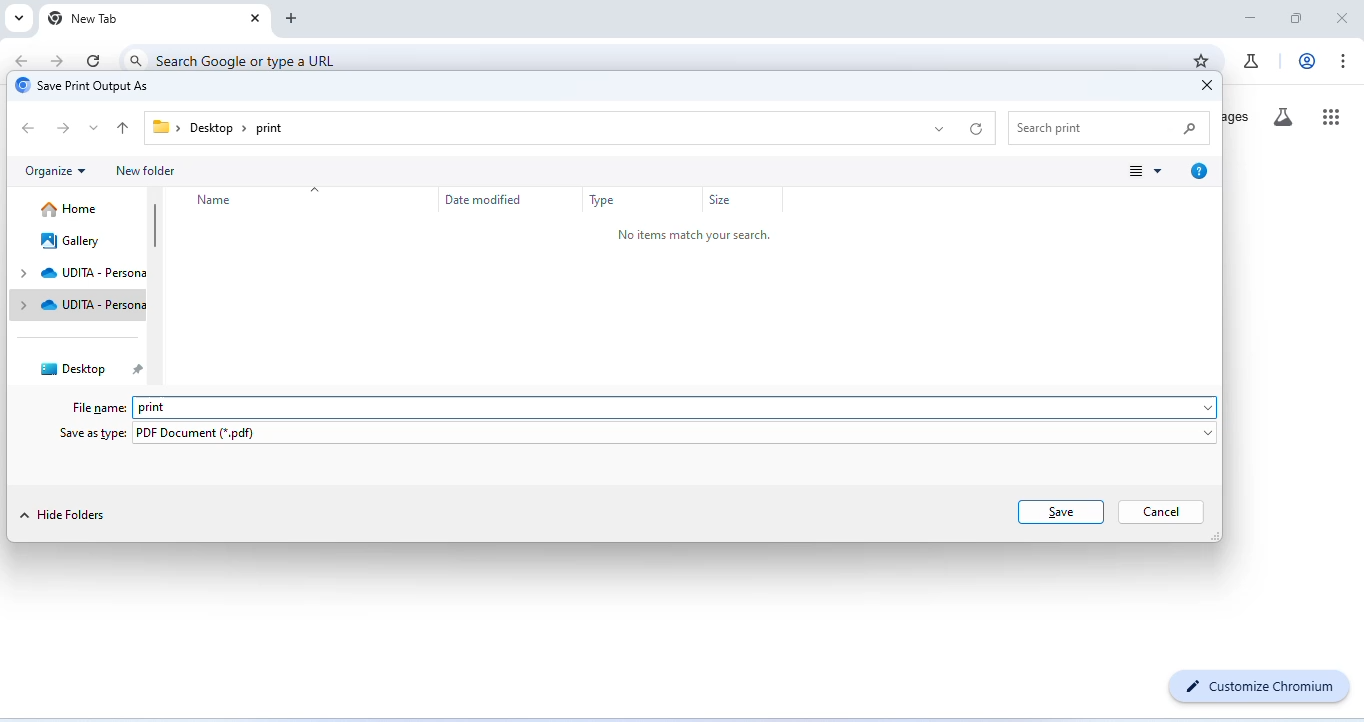 The height and width of the screenshot is (722, 1364). Describe the element at coordinates (101, 408) in the screenshot. I see `file name` at that location.